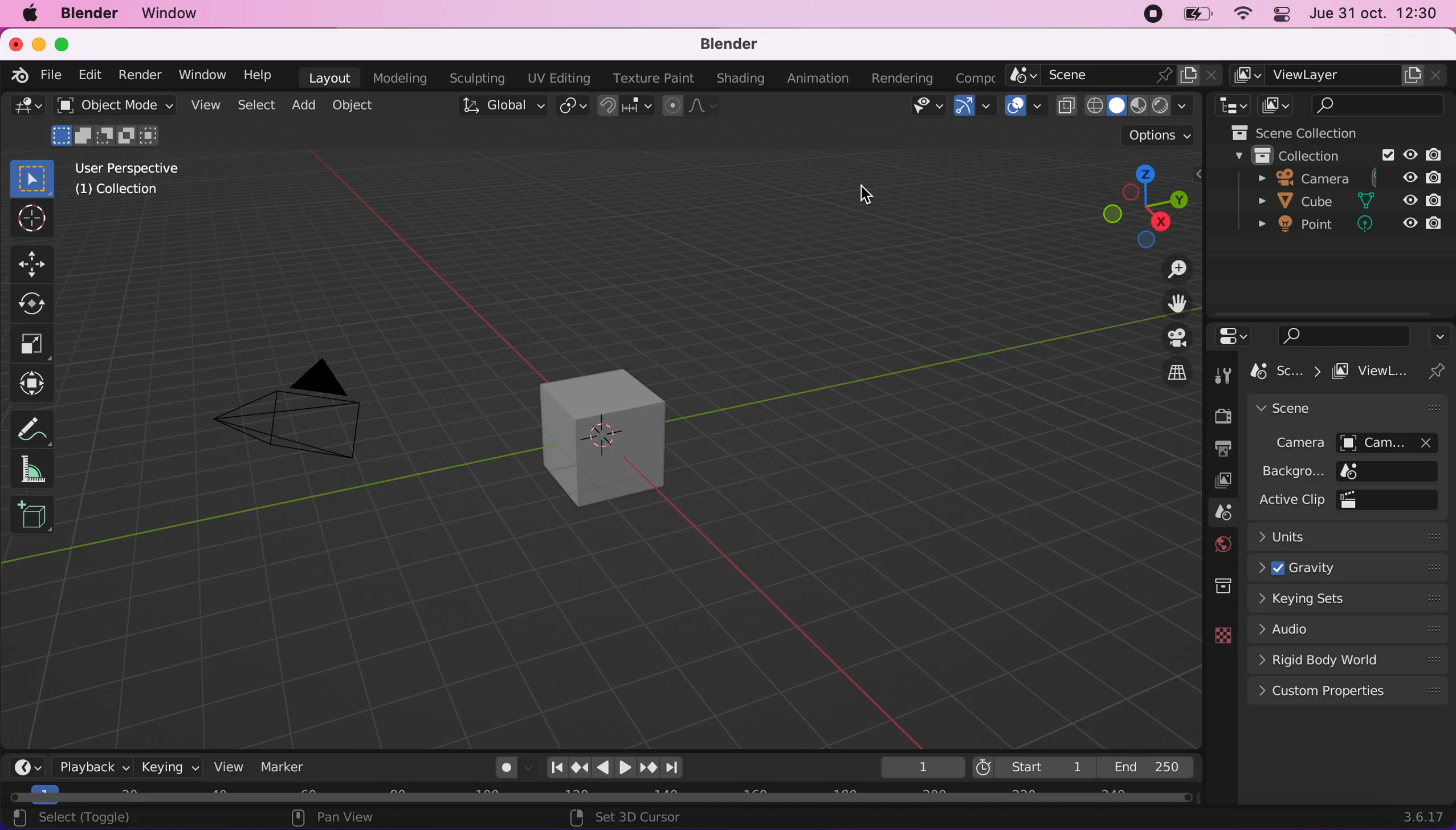 The width and height of the screenshot is (1456, 830). What do you see at coordinates (626, 770) in the screenshot?
I see `Play animation` at bounding box center [626, 770].